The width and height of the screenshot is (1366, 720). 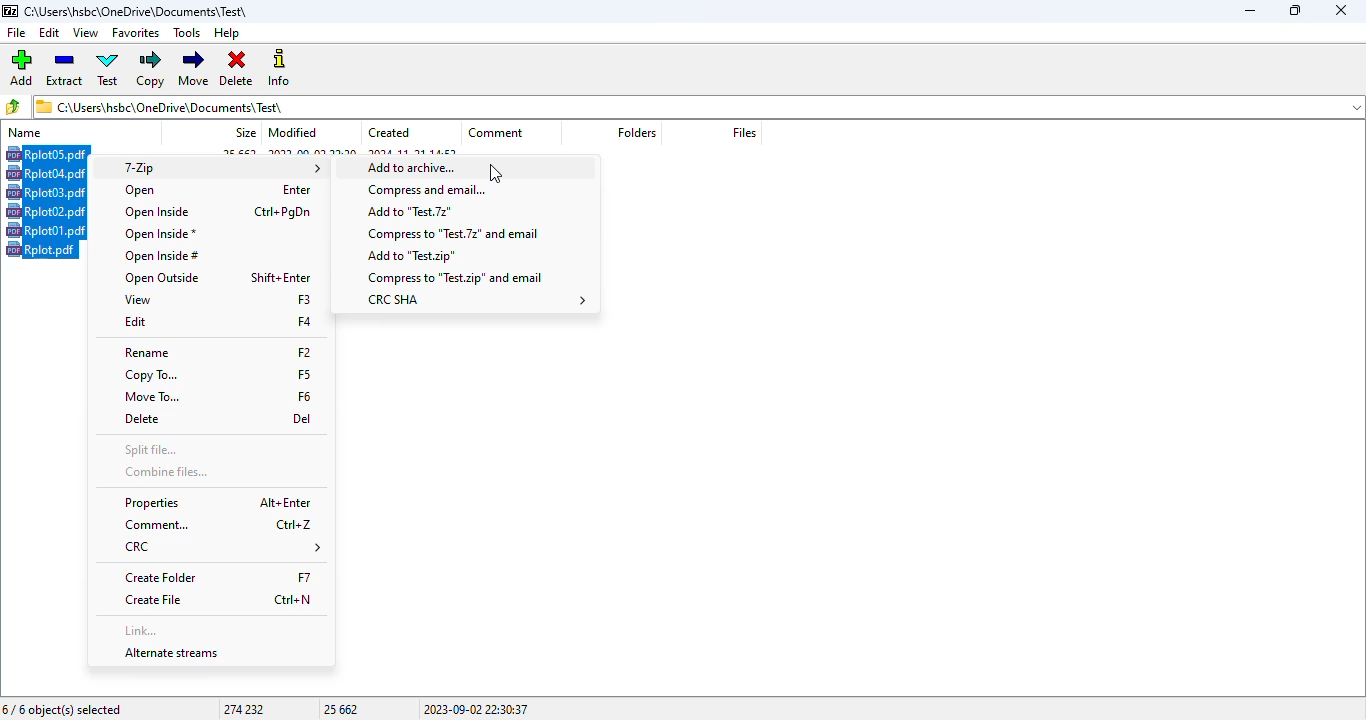 I want to click on add, so click(x=22, y=67).